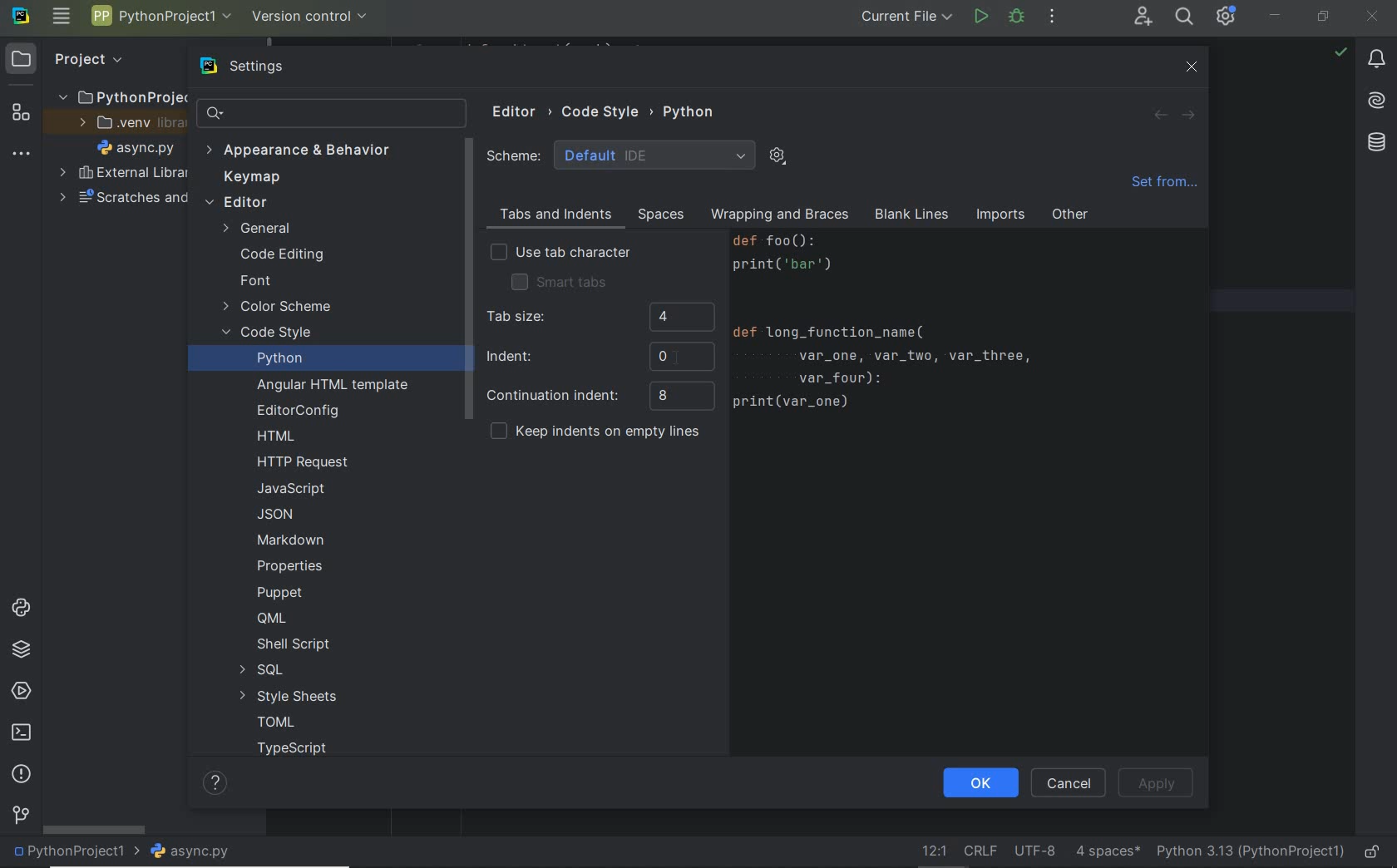 The width and height of the screenshot is (1397, 868). What do you see at coordinates (281, 256) in the screenshot?
I see `code editing` at bounding box center [281, 256].